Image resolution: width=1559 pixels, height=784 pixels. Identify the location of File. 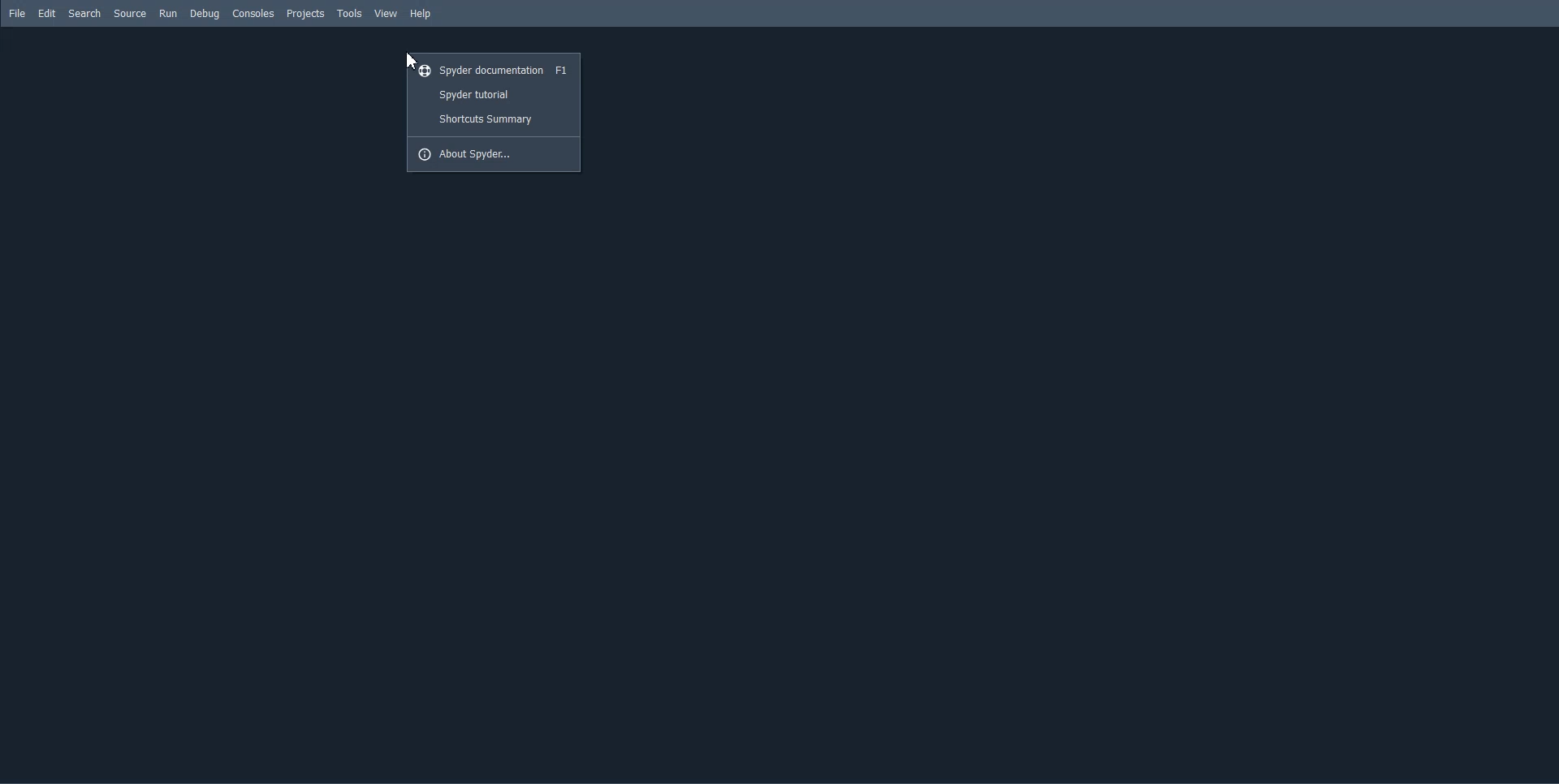
(19, 13).